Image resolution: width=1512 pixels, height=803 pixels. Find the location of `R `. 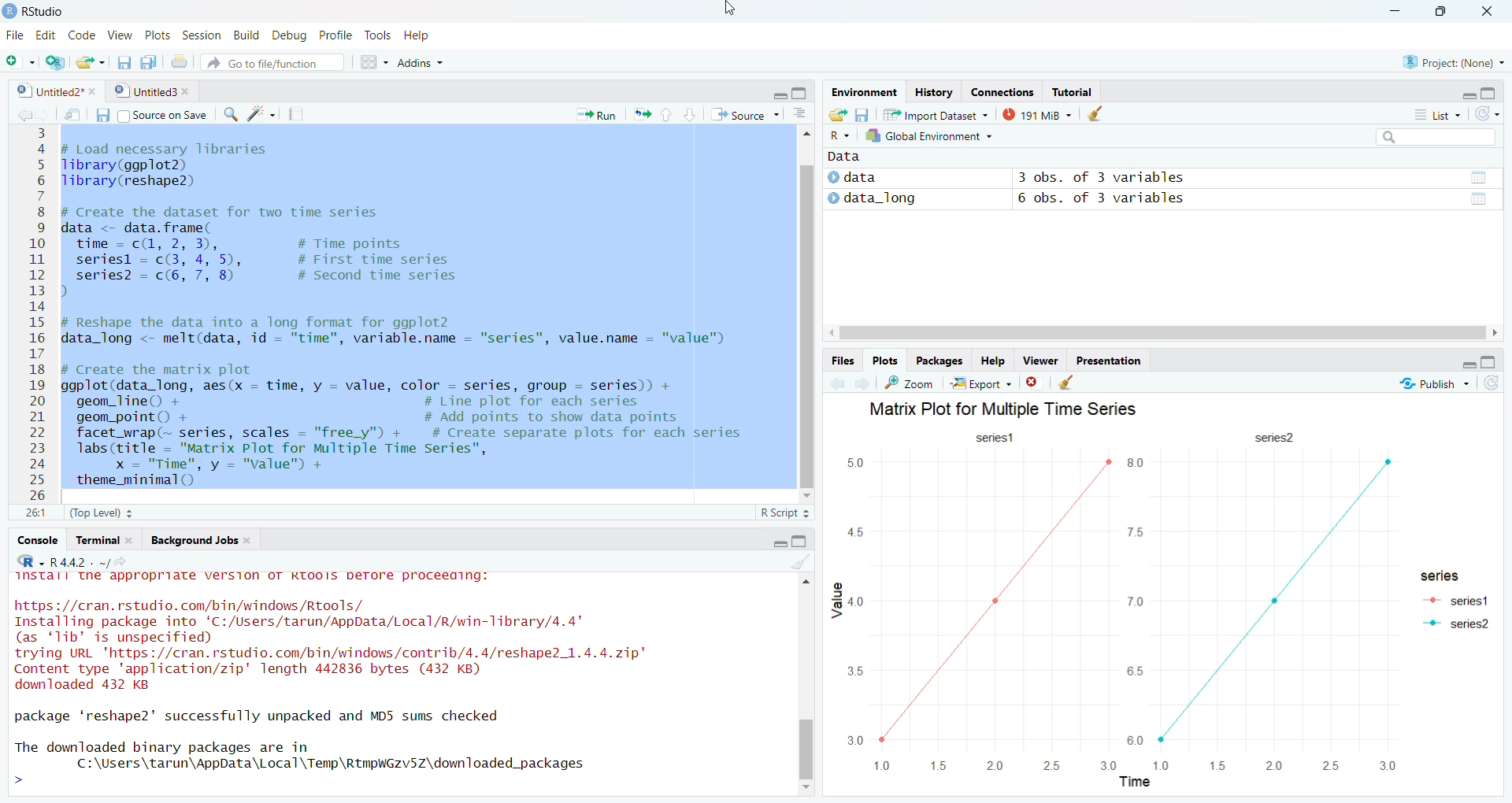

R  is located at coordinates (31, 561).